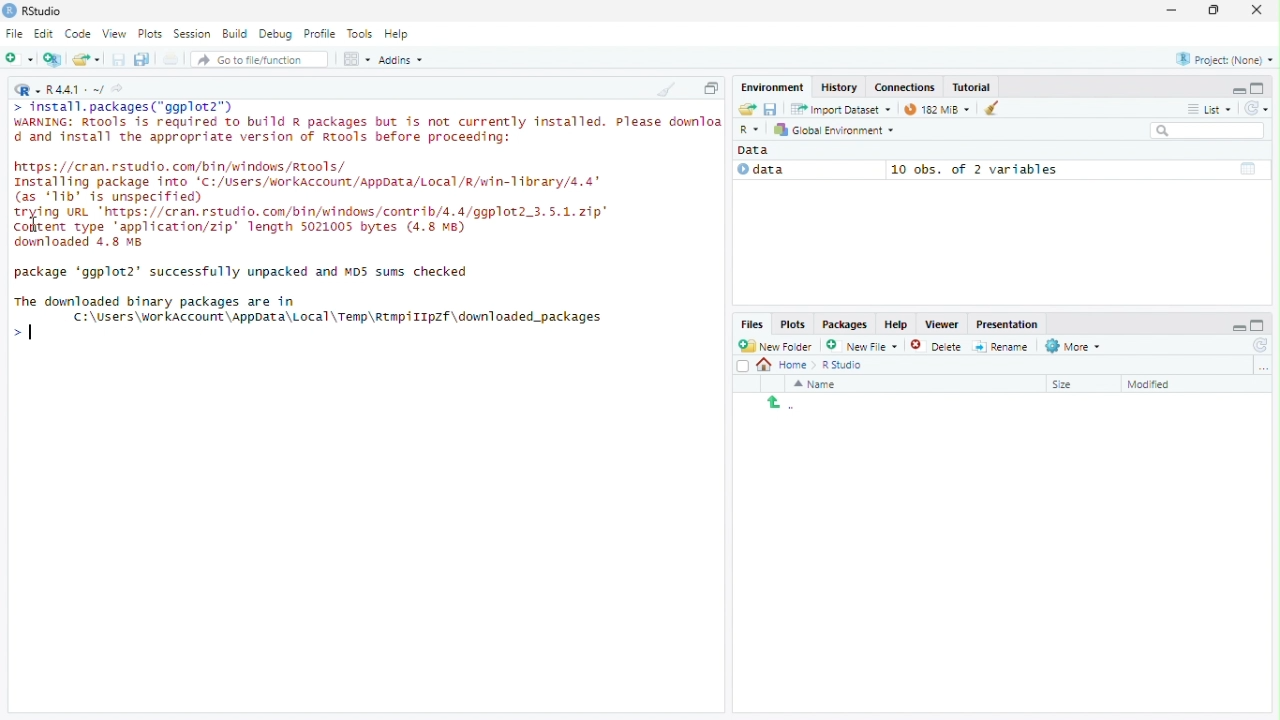 The image size is (1280, 720). I want to click on refresh file listing, so click(1261, 346).